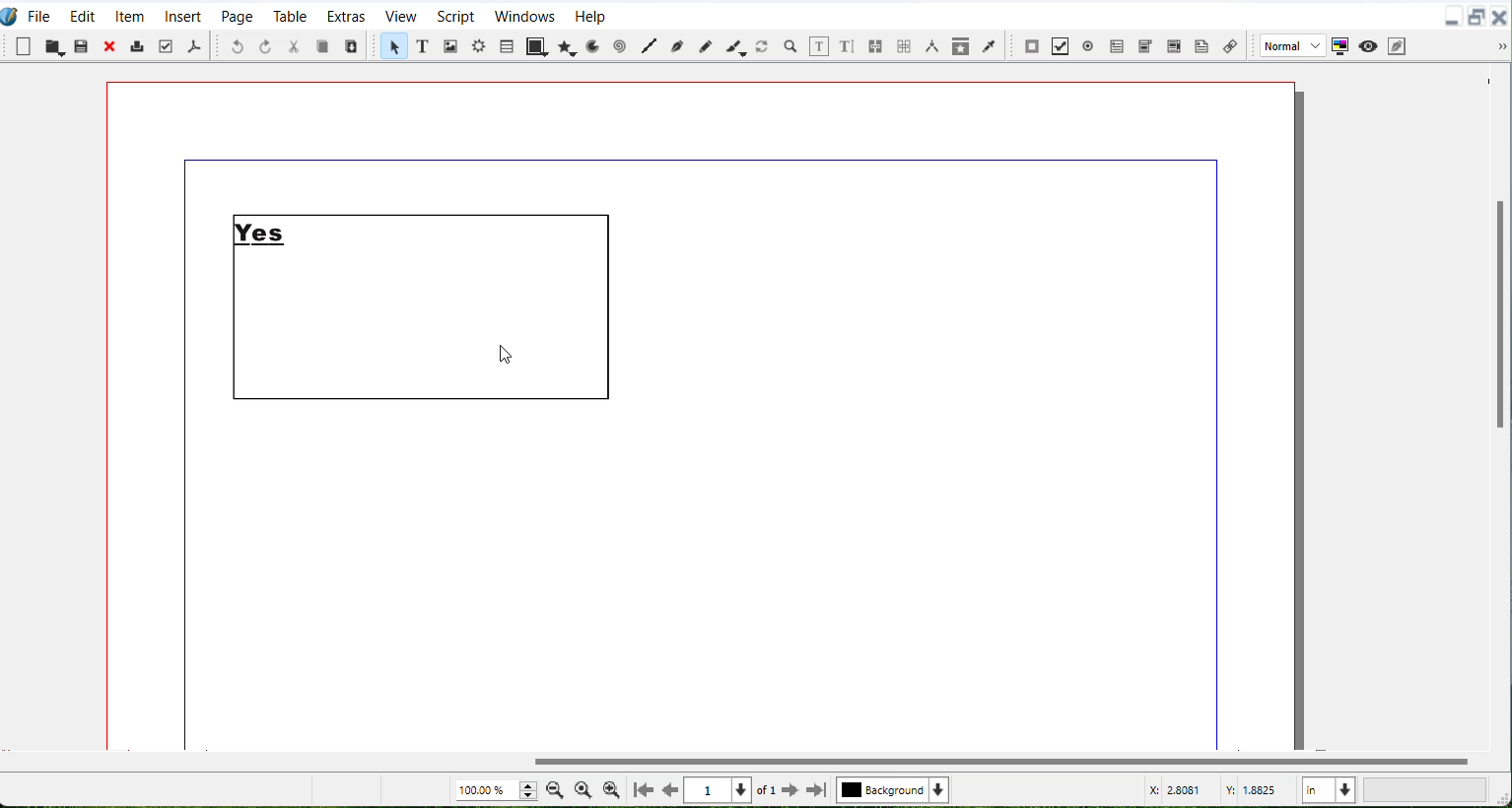 This screenshot has width=1512, height=808. What do you see at coordinates (1398, 45) in the screenshot?
I see `Edit in preview Mode` at bounding box center [1398, 45].